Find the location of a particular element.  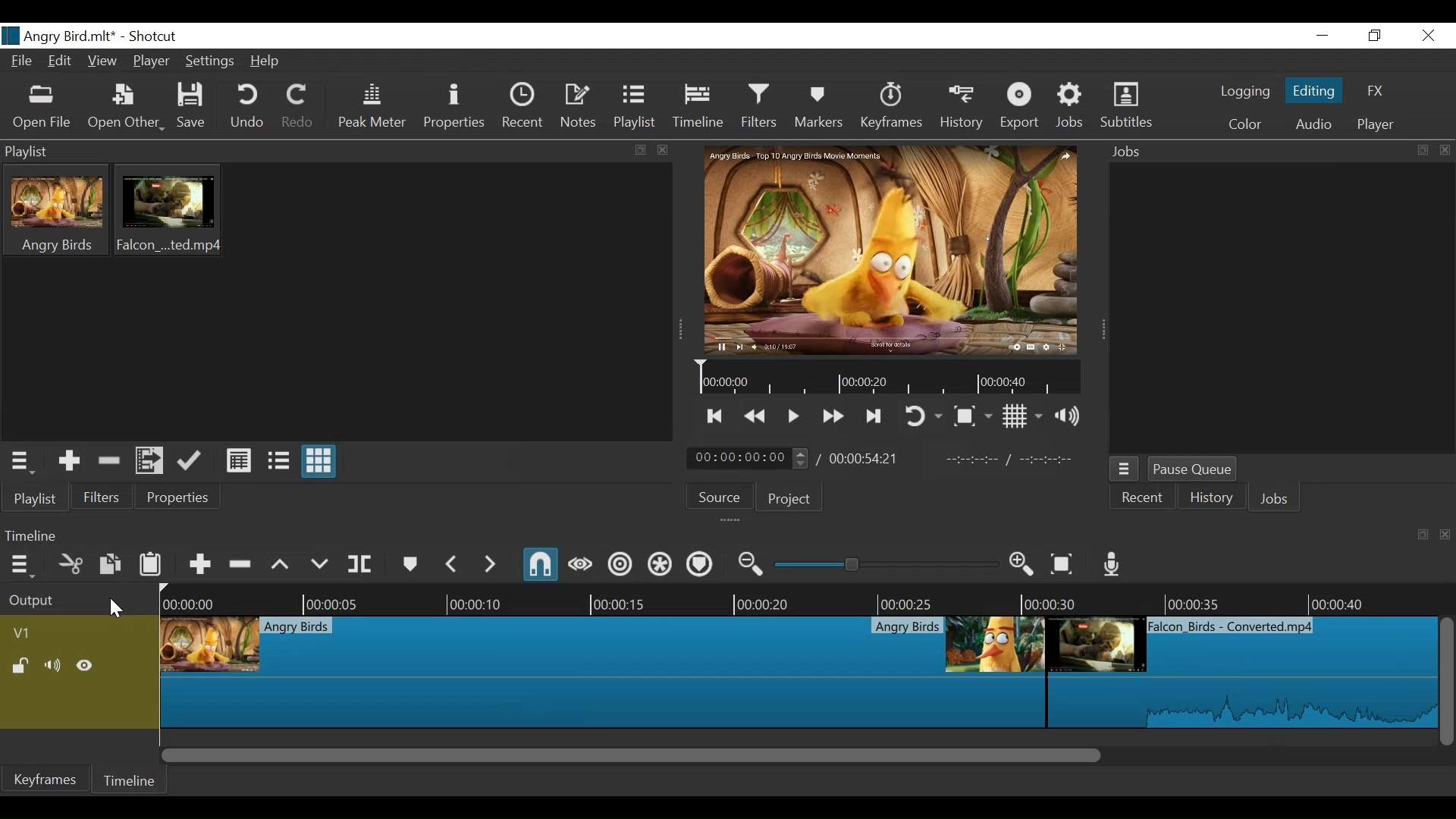

 is located at coordinates (727, 535).